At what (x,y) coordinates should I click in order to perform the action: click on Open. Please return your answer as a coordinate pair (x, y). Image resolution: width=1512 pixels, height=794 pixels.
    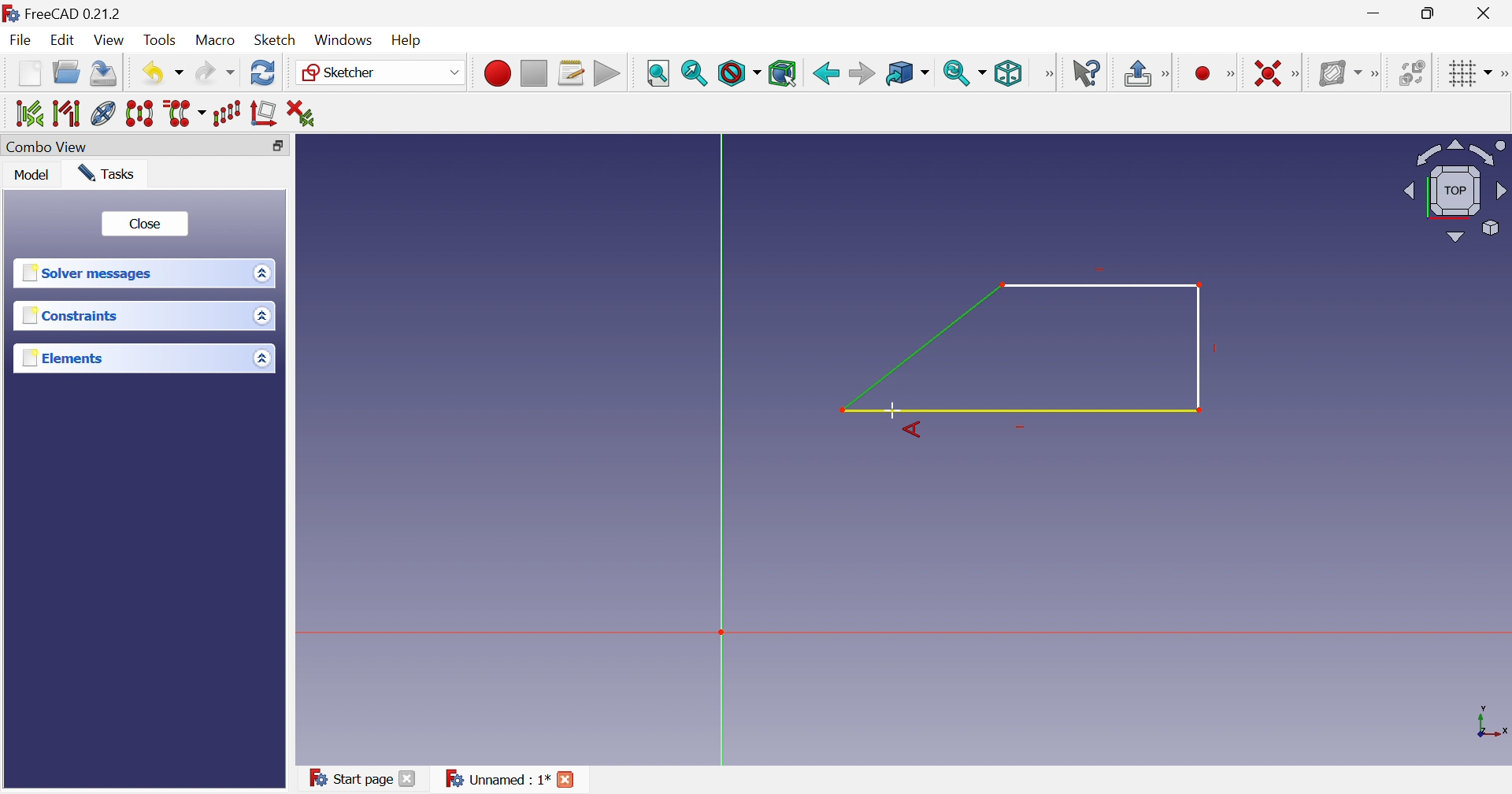
    Looking at the image, I should click on (69, 75).